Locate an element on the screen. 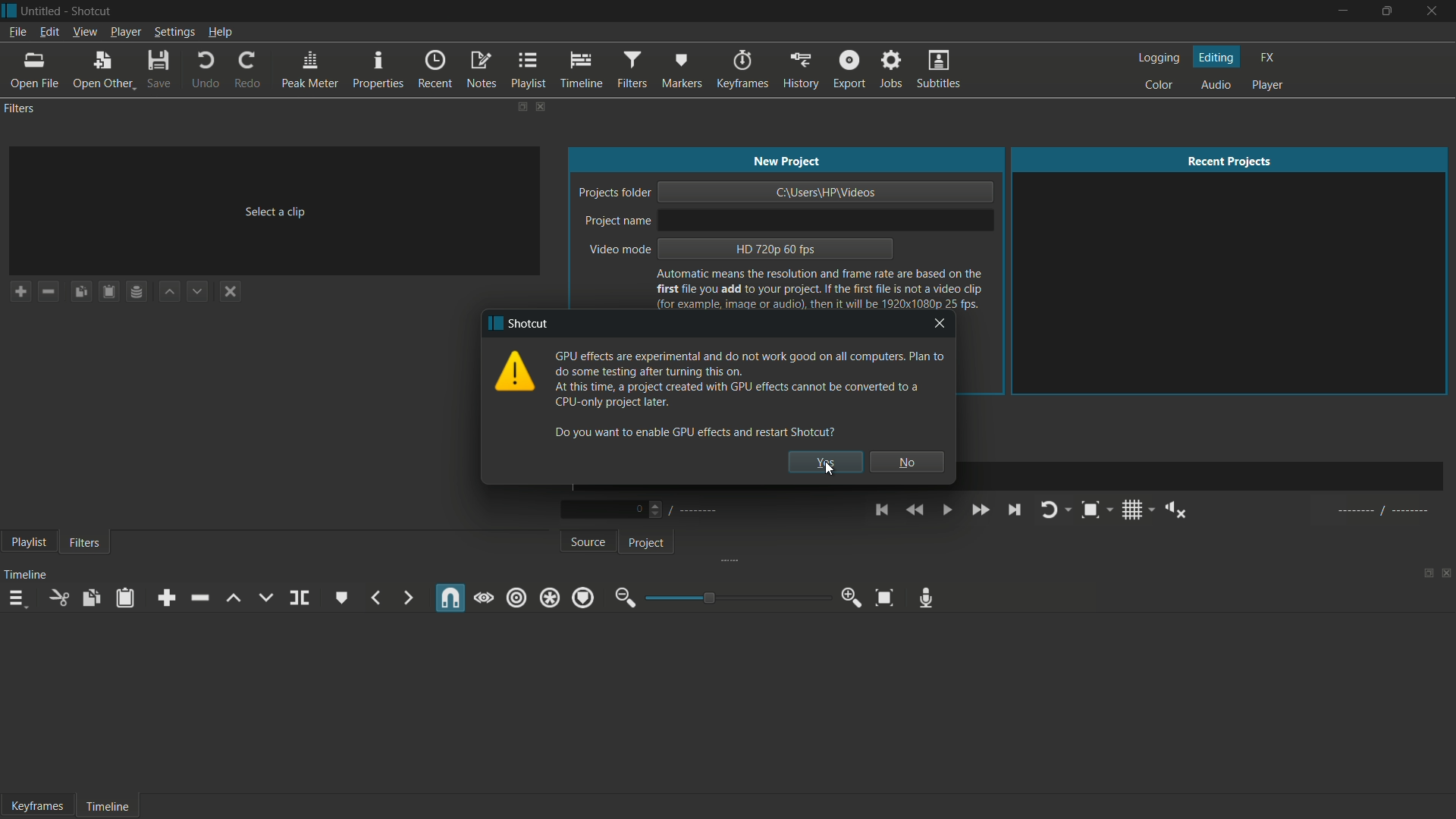  logging is located at coordinates (1158, 58).